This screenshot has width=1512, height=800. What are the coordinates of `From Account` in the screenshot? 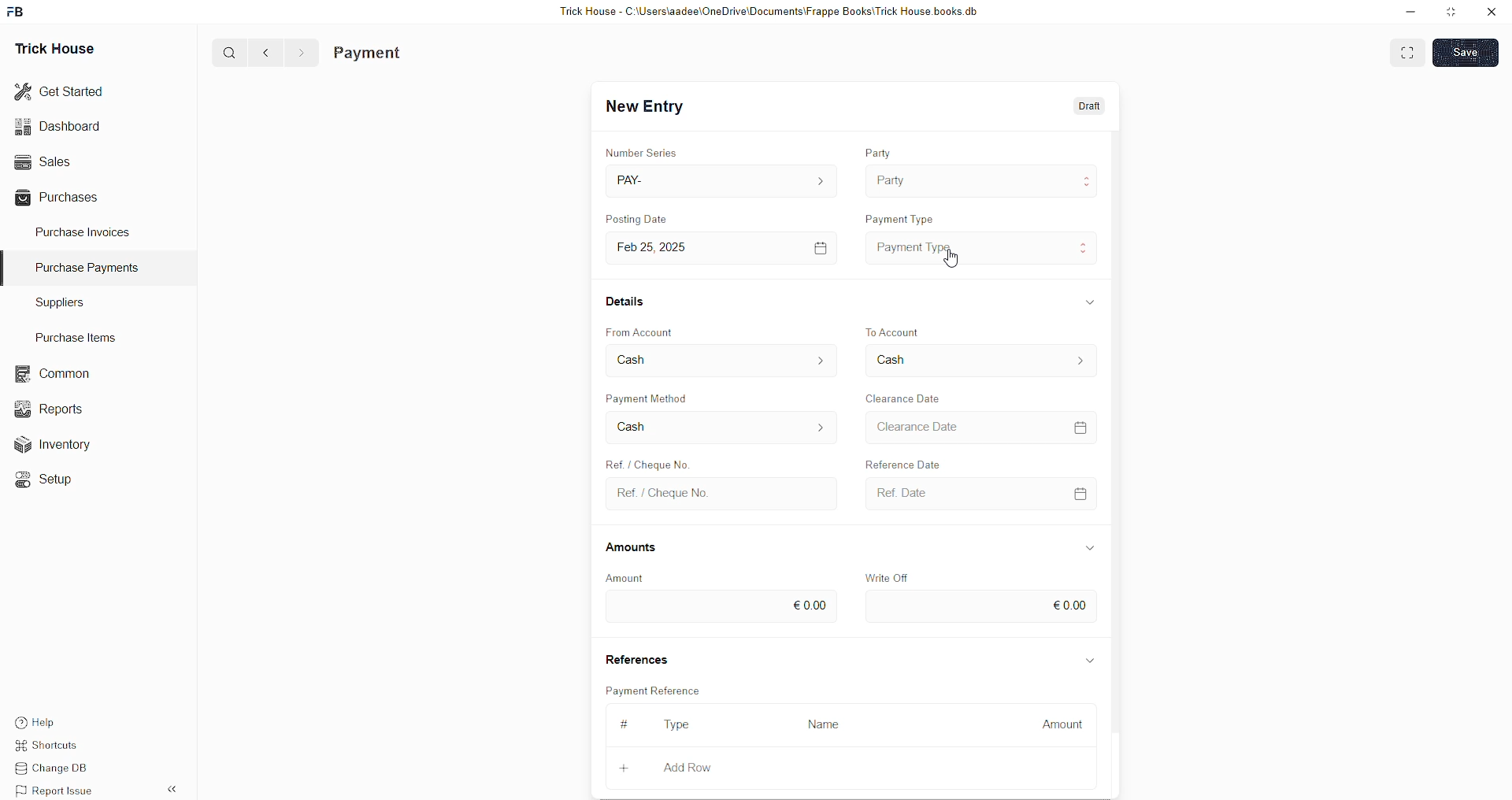 It's located at (645, 331).